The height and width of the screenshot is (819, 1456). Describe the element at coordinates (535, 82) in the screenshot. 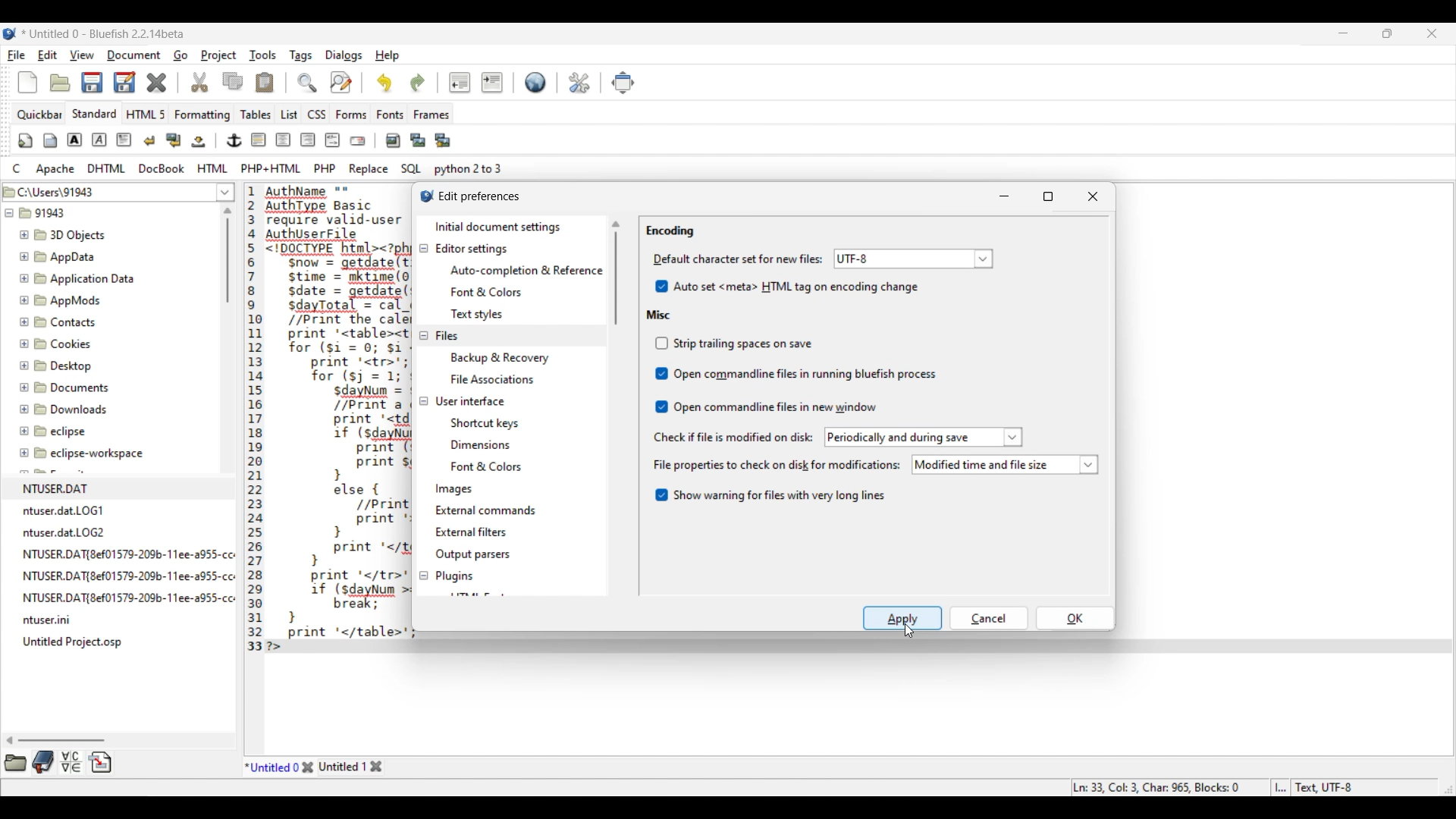

I see `Default settings` at that location.